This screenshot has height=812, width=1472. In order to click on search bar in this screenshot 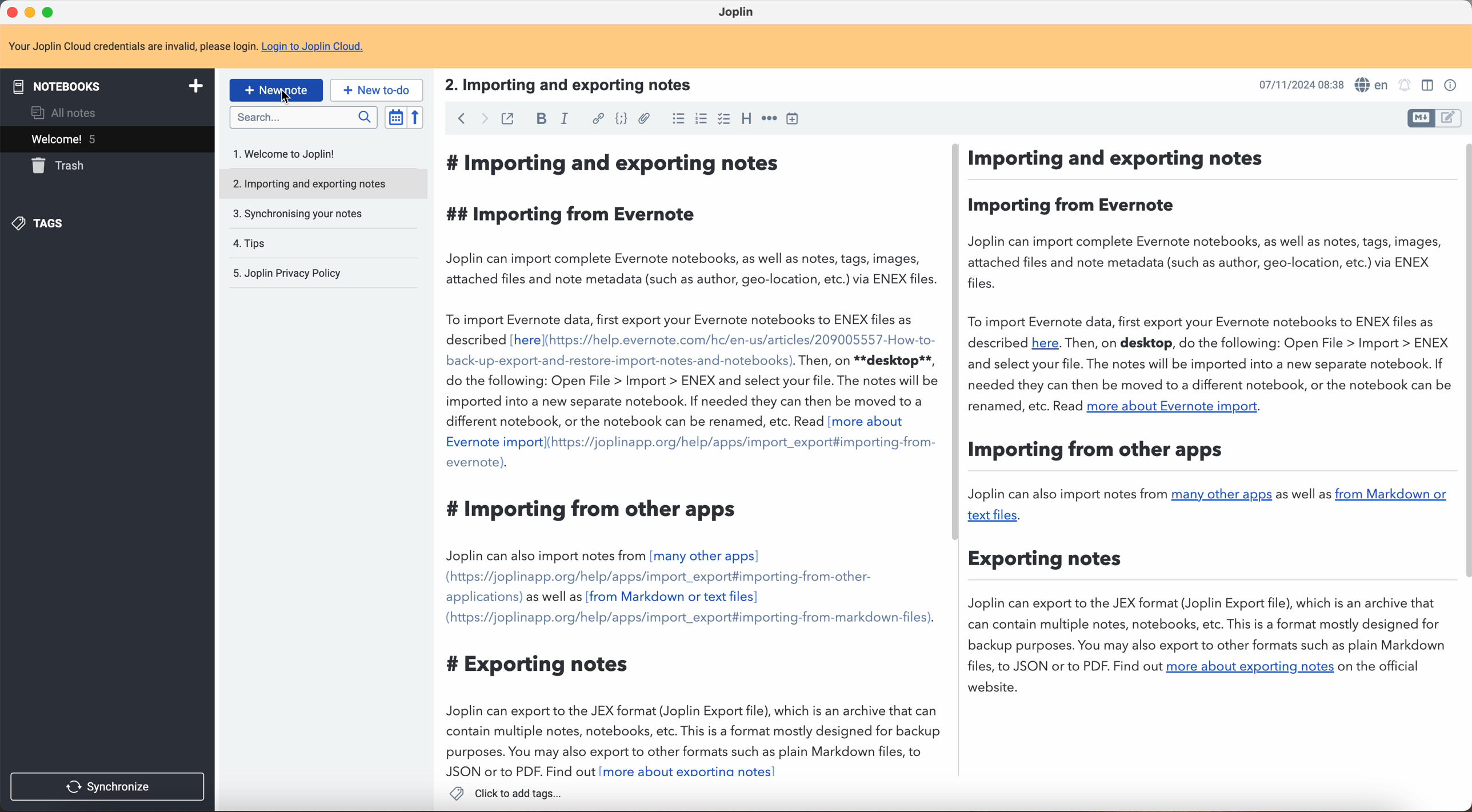, I will do `click(305, 118)`.